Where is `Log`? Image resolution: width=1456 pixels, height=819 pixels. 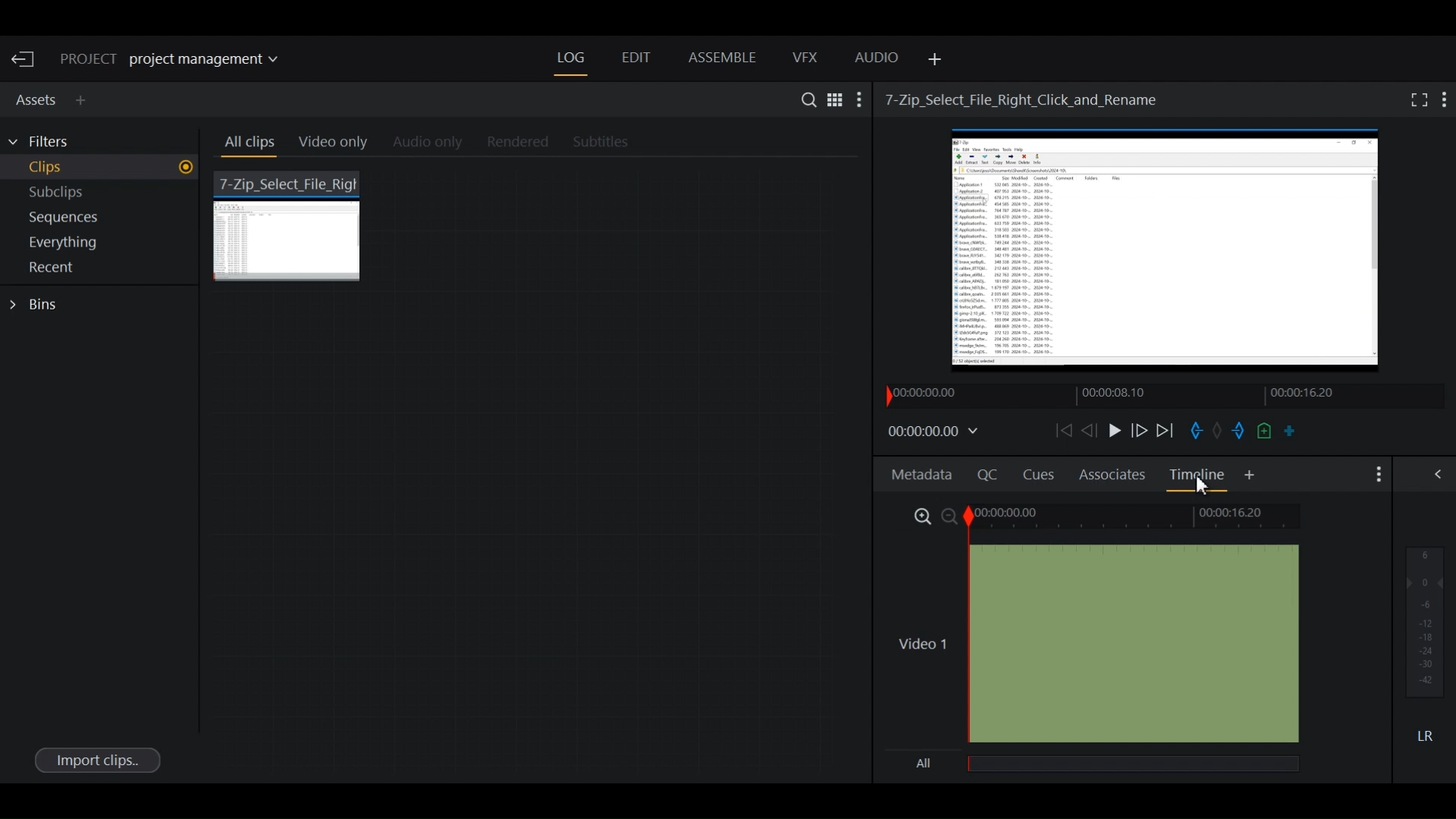
Log is located at coordinates (571, 58).